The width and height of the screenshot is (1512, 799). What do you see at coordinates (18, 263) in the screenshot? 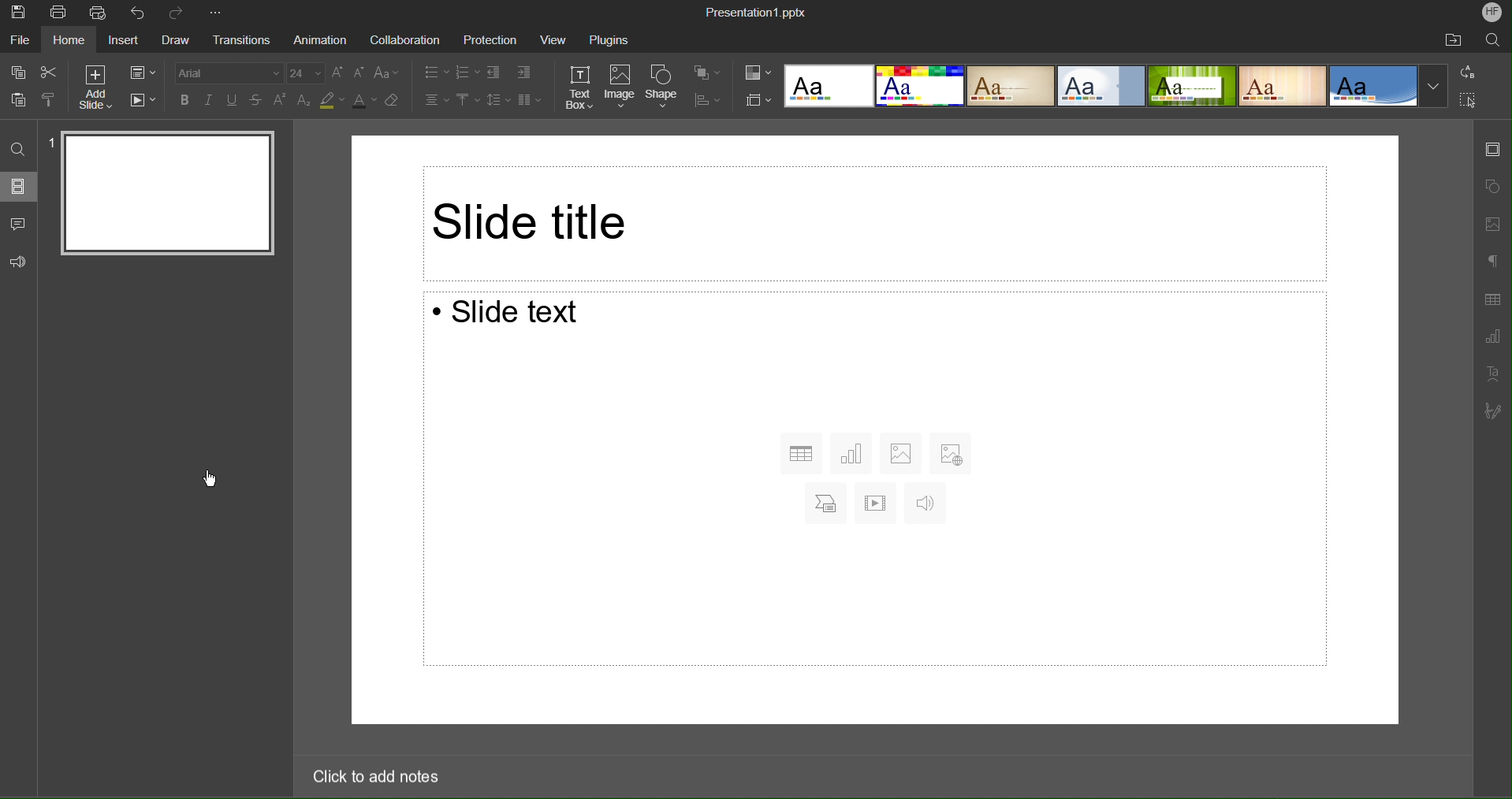
I see `Feedback and Support` at bounding box center [18, 263].